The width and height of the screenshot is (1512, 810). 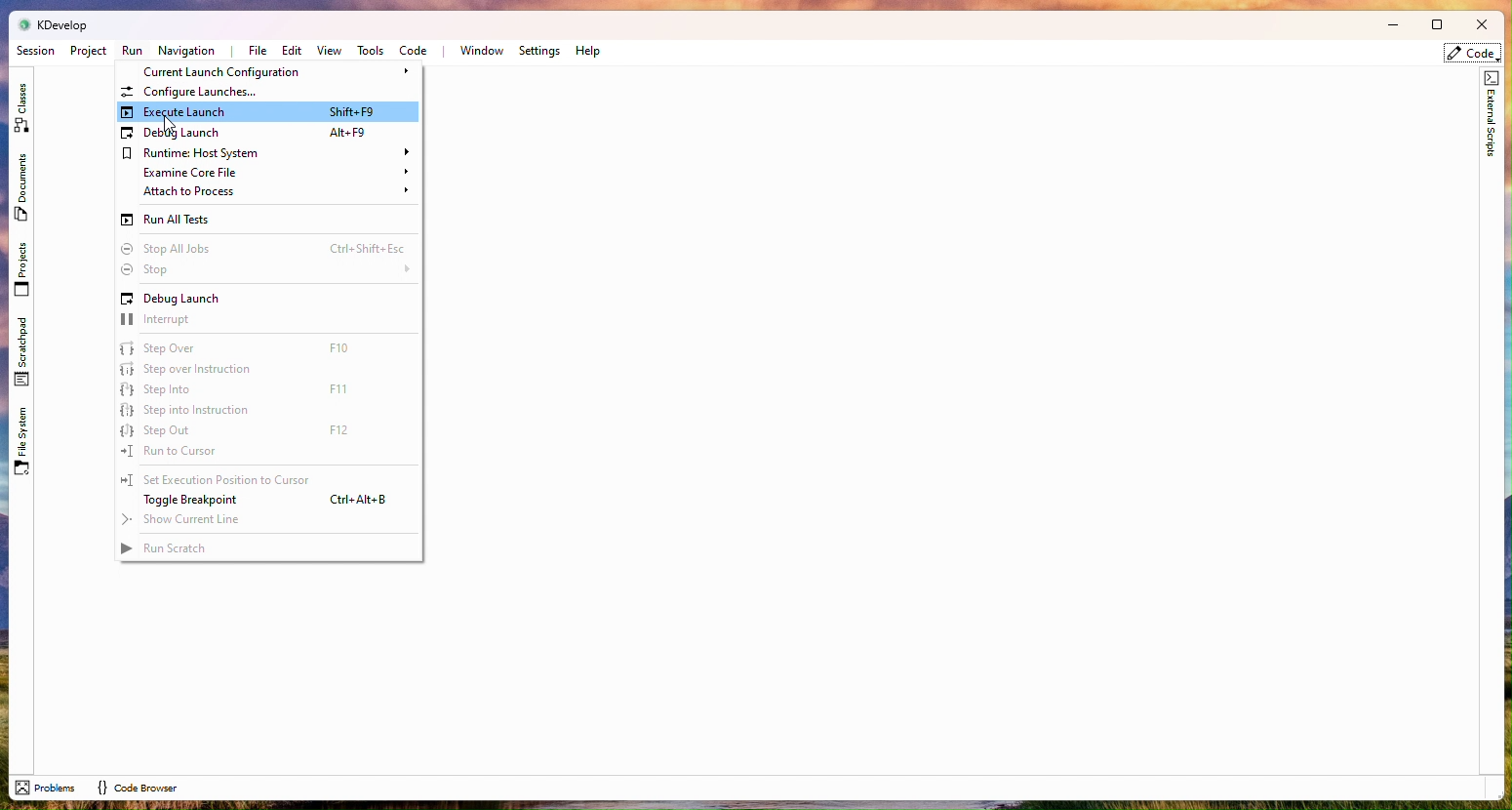 What do you see at coordinates (170, 123) in the screenshot?
I see `cursor` at bounding box center [170, 123].